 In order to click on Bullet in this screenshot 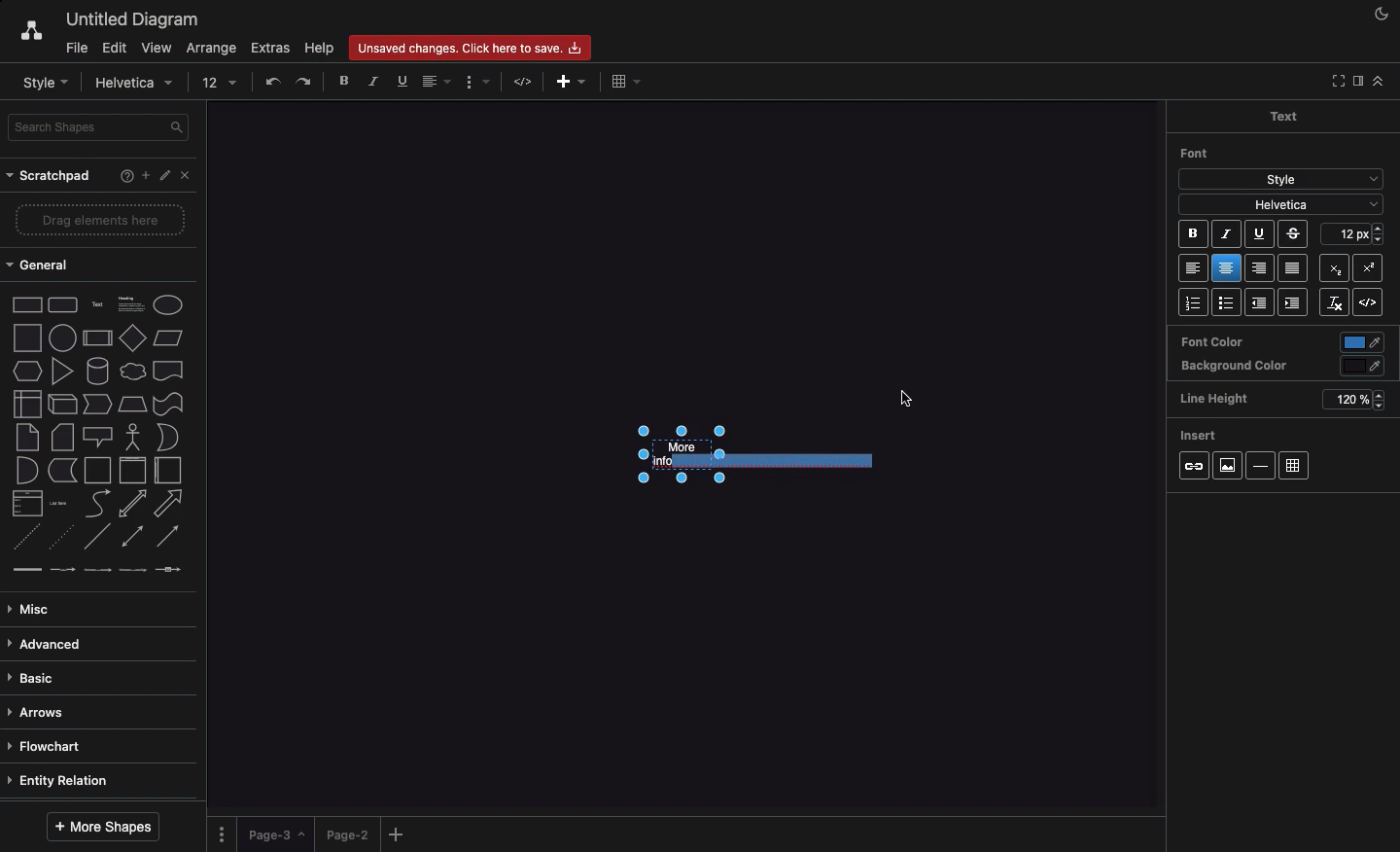, I will do `click(1227, 303)`.